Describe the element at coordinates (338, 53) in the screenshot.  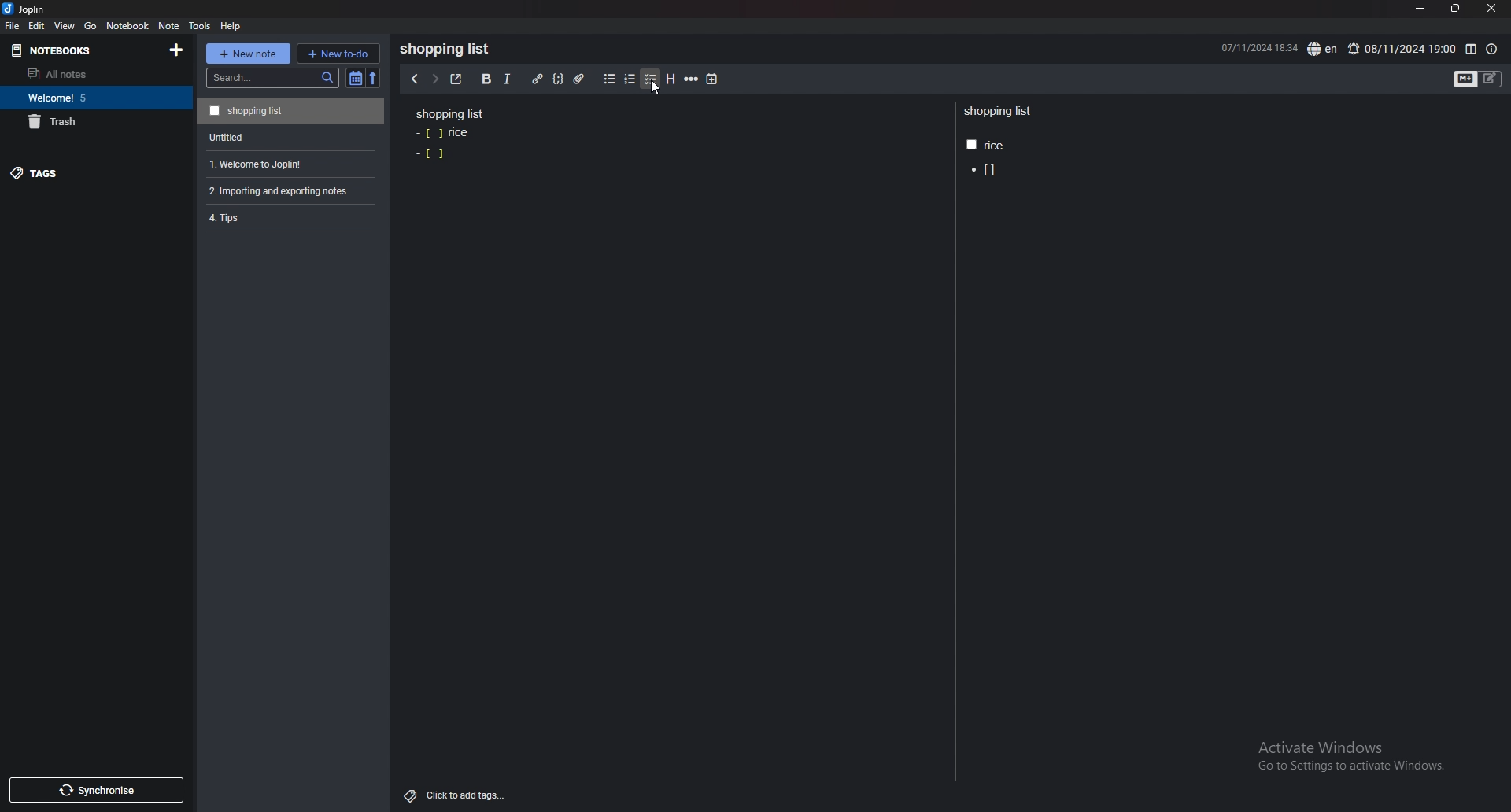
I see `new todo` at that location.